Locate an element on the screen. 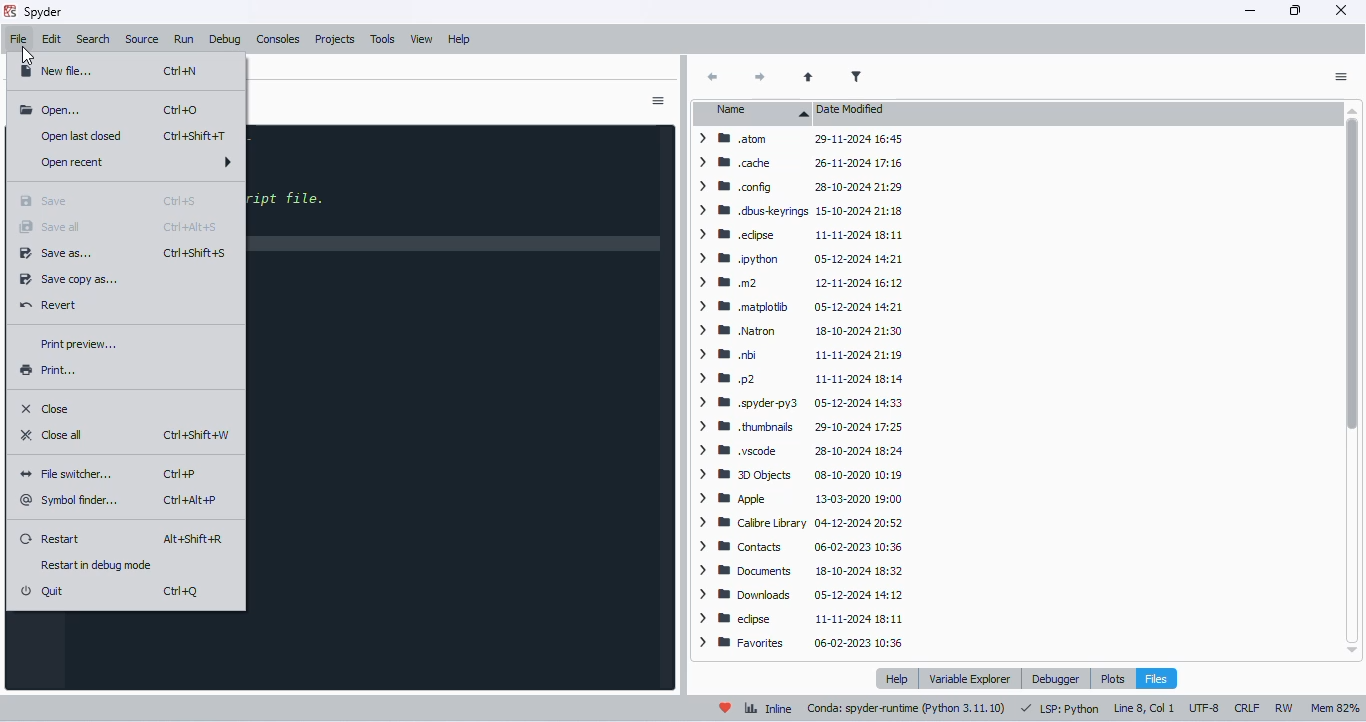  projects is located at coordinates (333, 39).